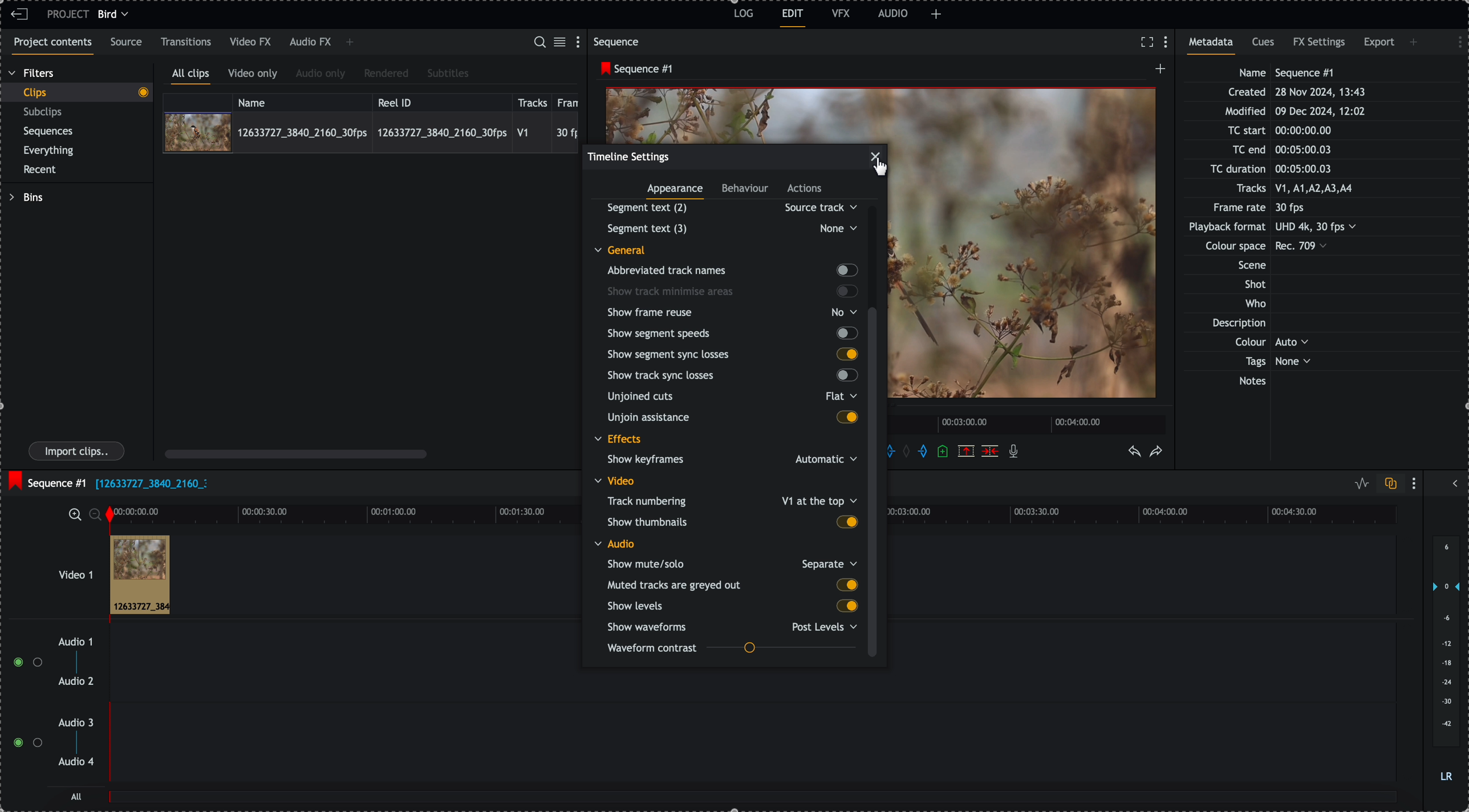  Describe the element at coordinates (1027, 250) in the screenshot. I see `picture` at that location.